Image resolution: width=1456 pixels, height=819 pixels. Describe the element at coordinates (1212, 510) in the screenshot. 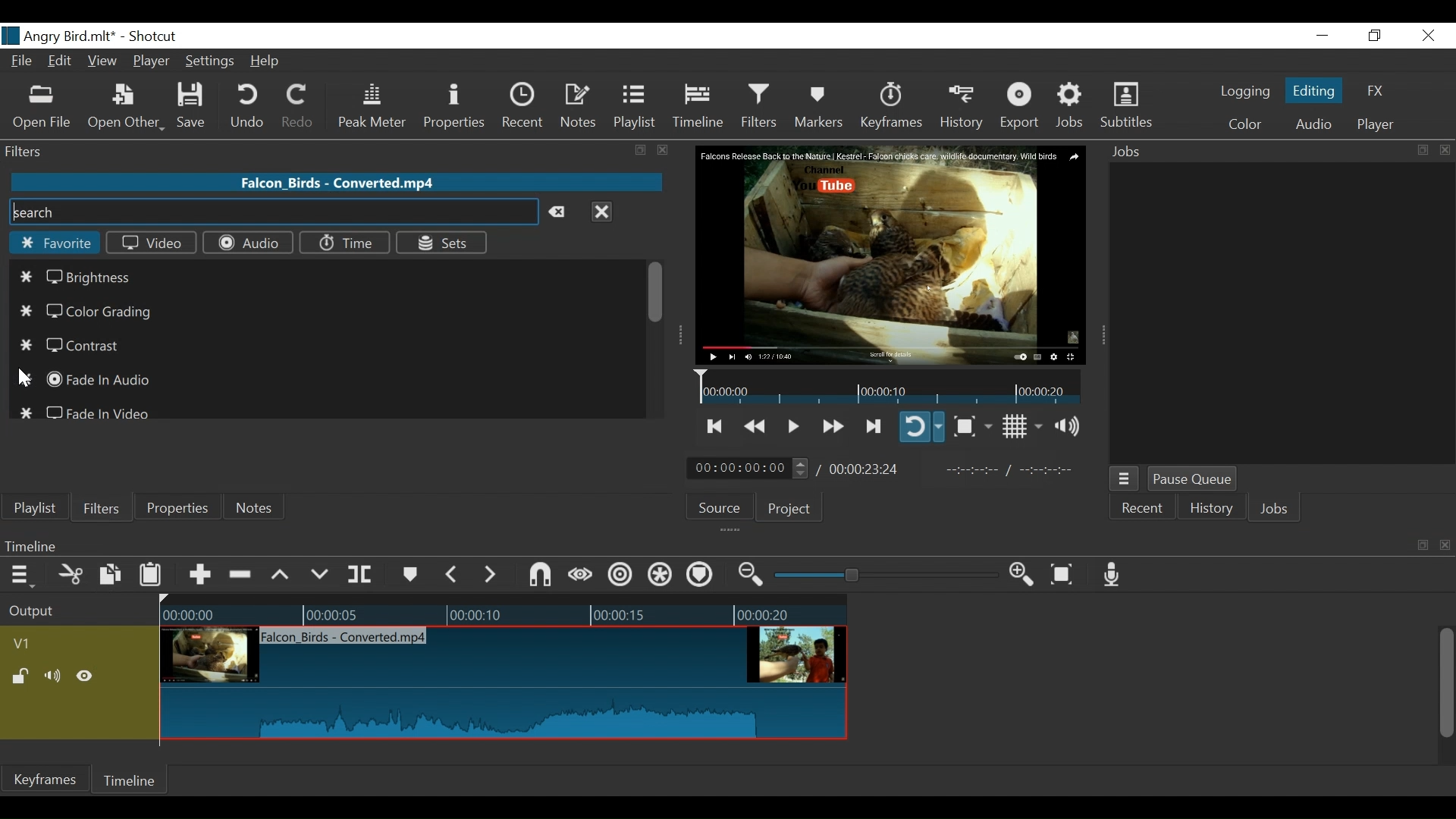

I see `History` at that location.